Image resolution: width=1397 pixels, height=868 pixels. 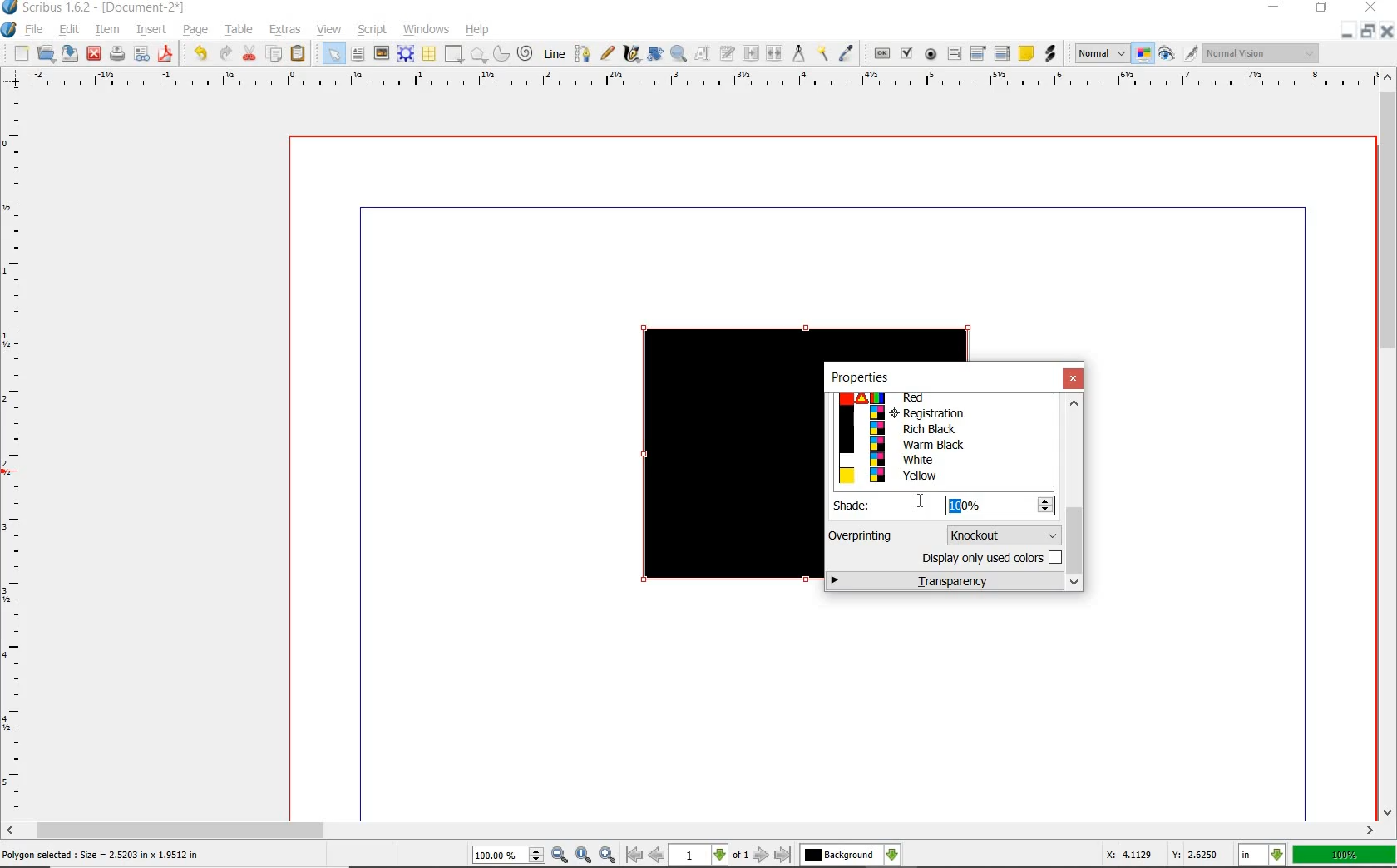 I want to click on link text frames, so click(x=749, y=55).